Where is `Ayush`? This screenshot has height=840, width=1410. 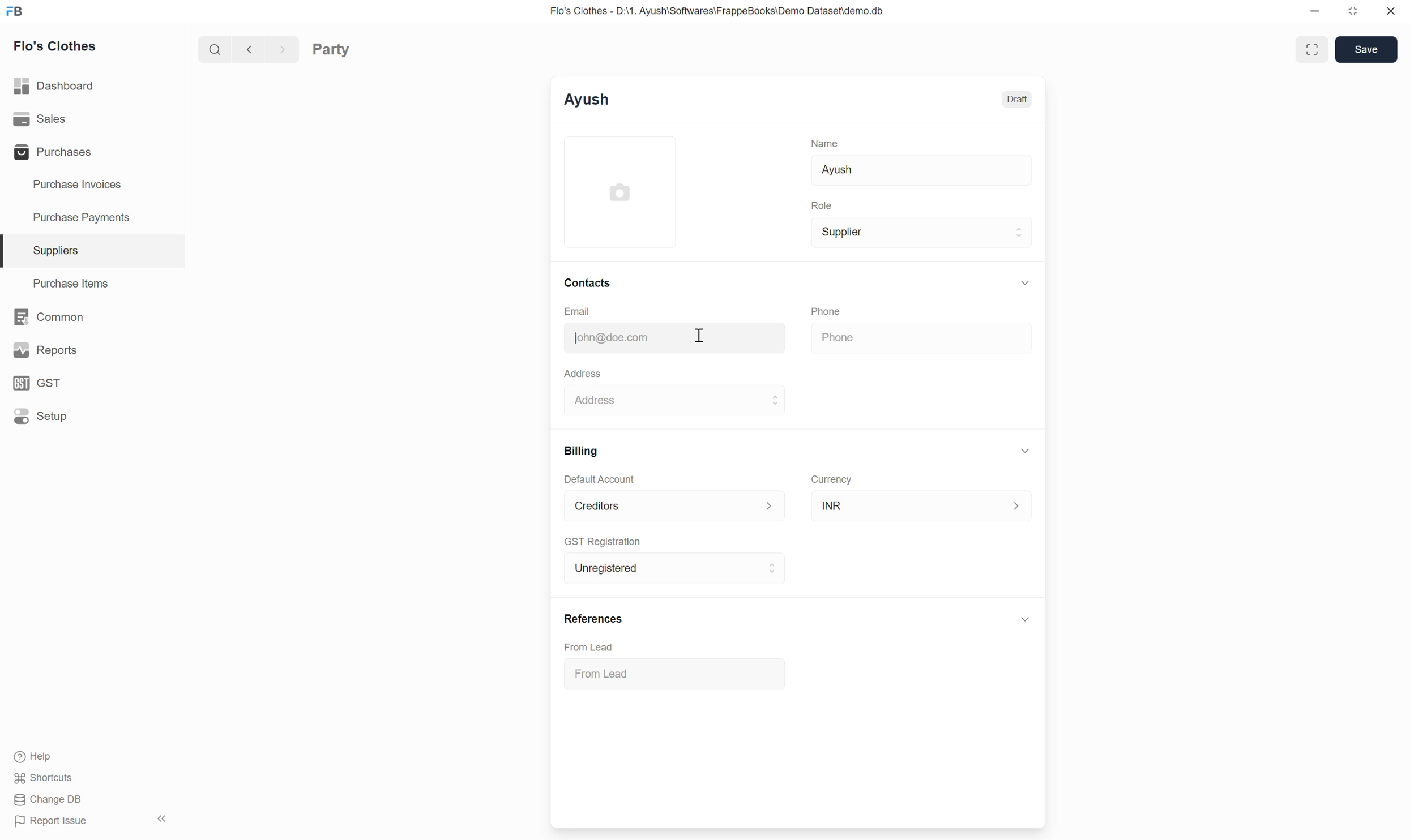 Ayush is located at coordinates (587, 100).